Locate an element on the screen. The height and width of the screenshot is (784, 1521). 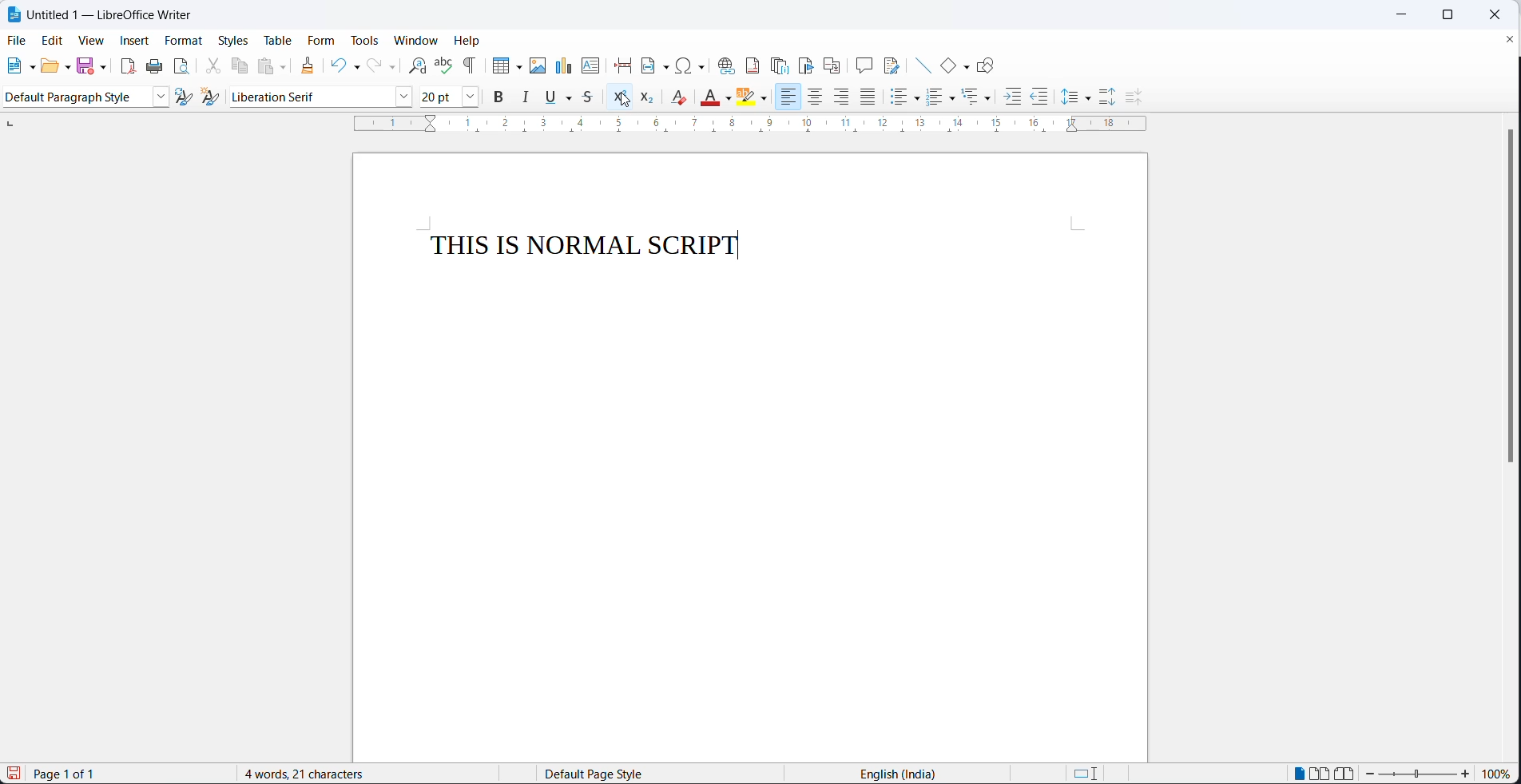
decrease paragraph space is located at coordinates (1131, 97).